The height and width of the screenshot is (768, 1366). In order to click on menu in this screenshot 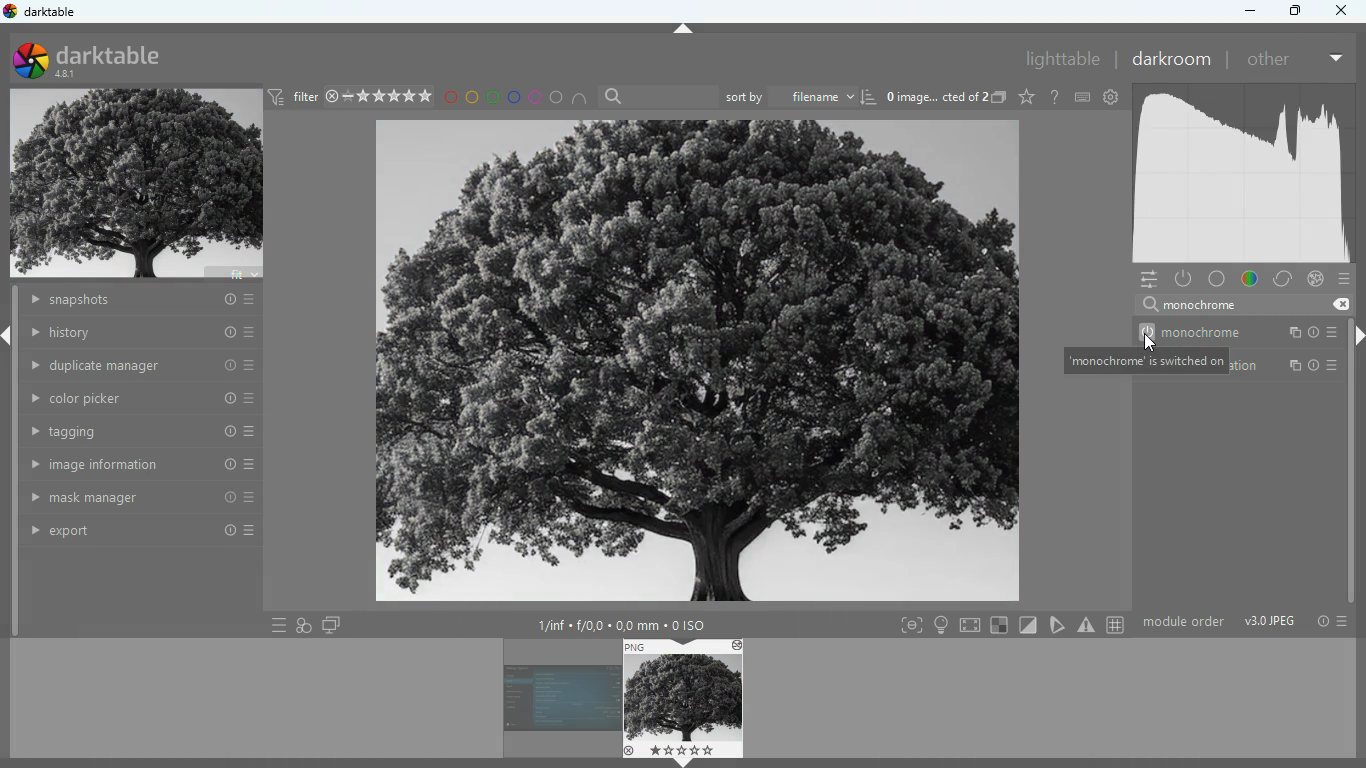, I will do `click(1342, 622)`.